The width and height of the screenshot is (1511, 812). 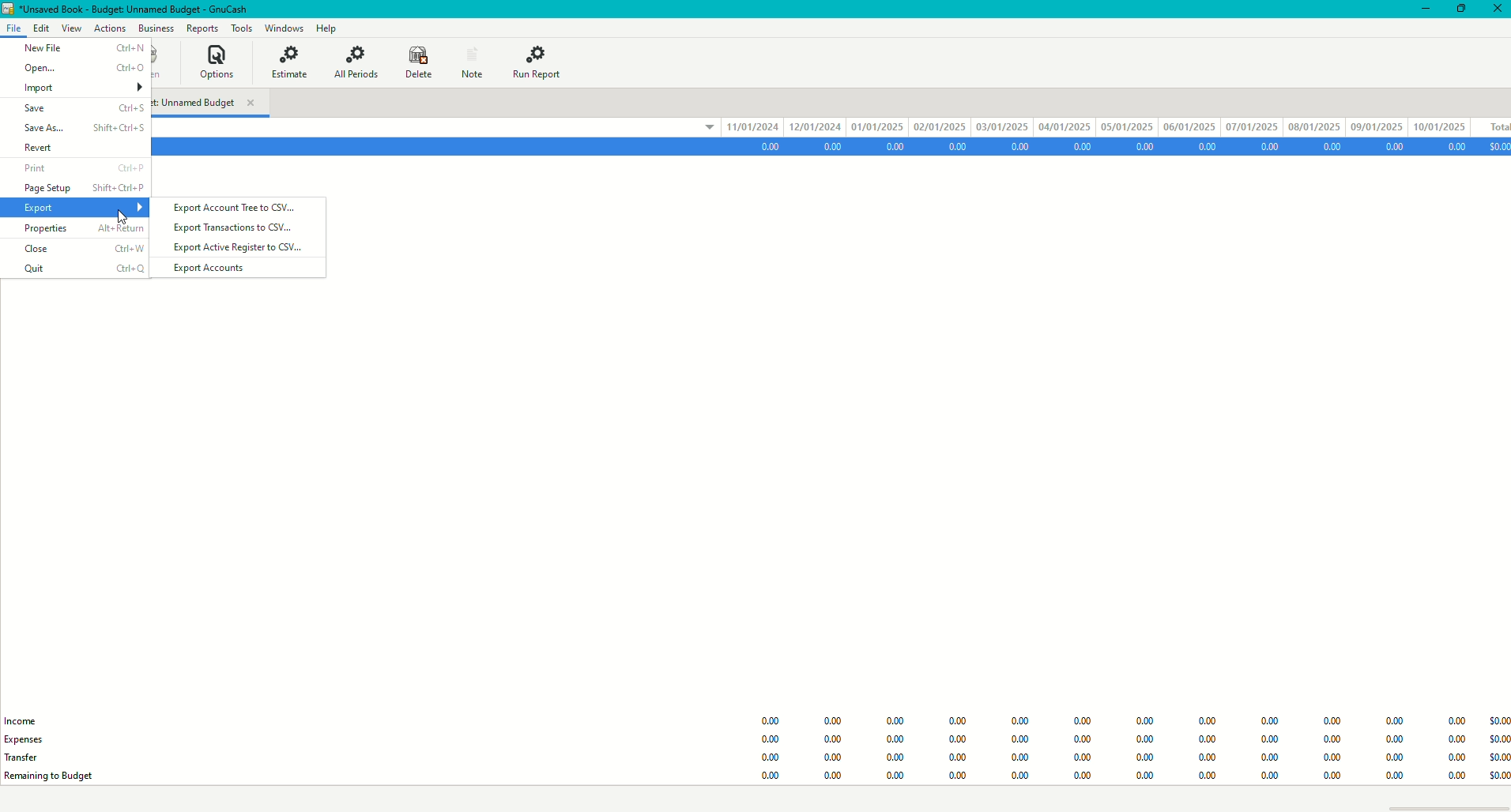 I want to click on Options, so click(x=223, y=63).